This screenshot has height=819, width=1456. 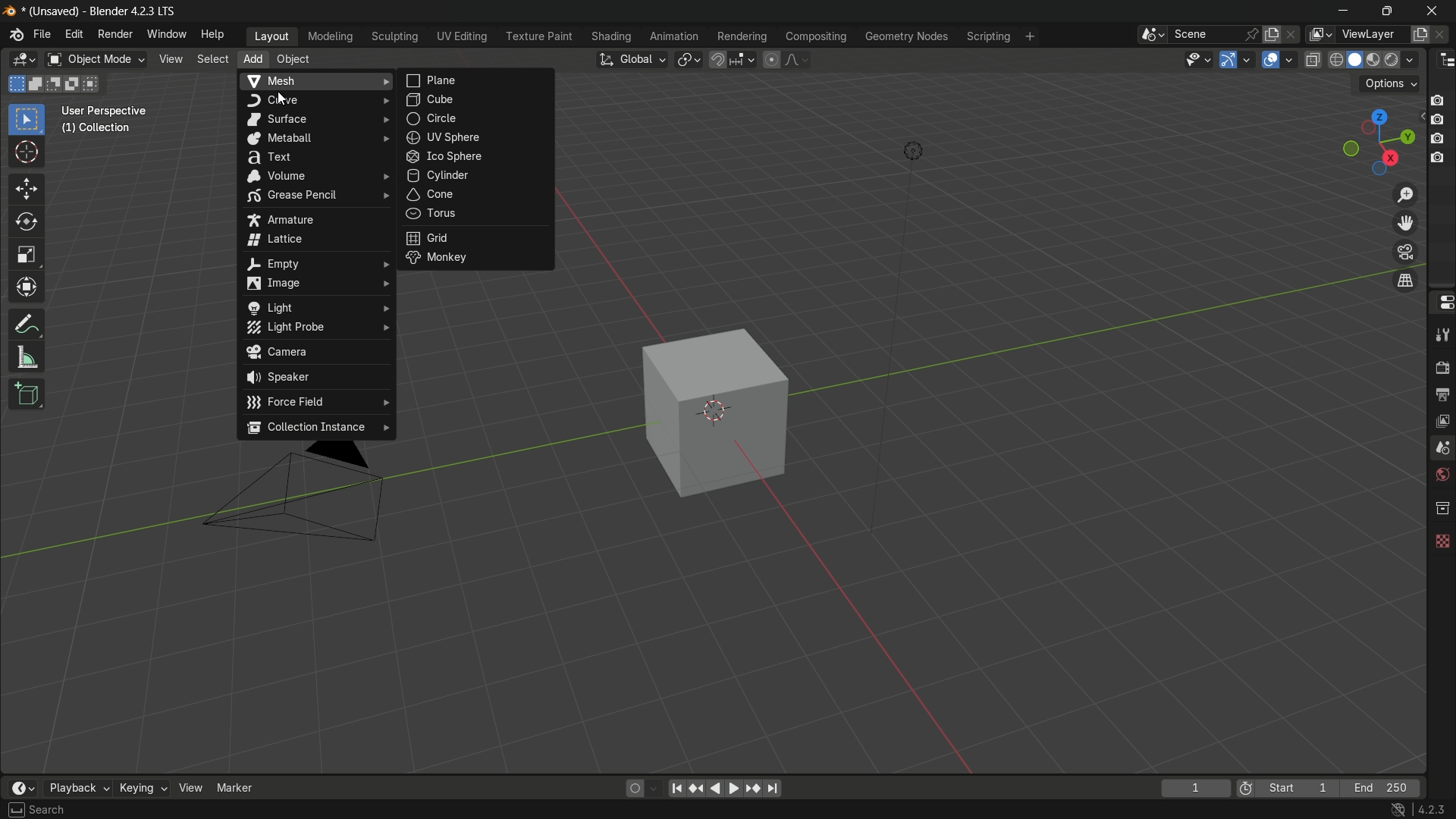 What do you see at coordinates (640, 787) in the screenshot?
I see `auto keying` at bounding box center [640, 787].